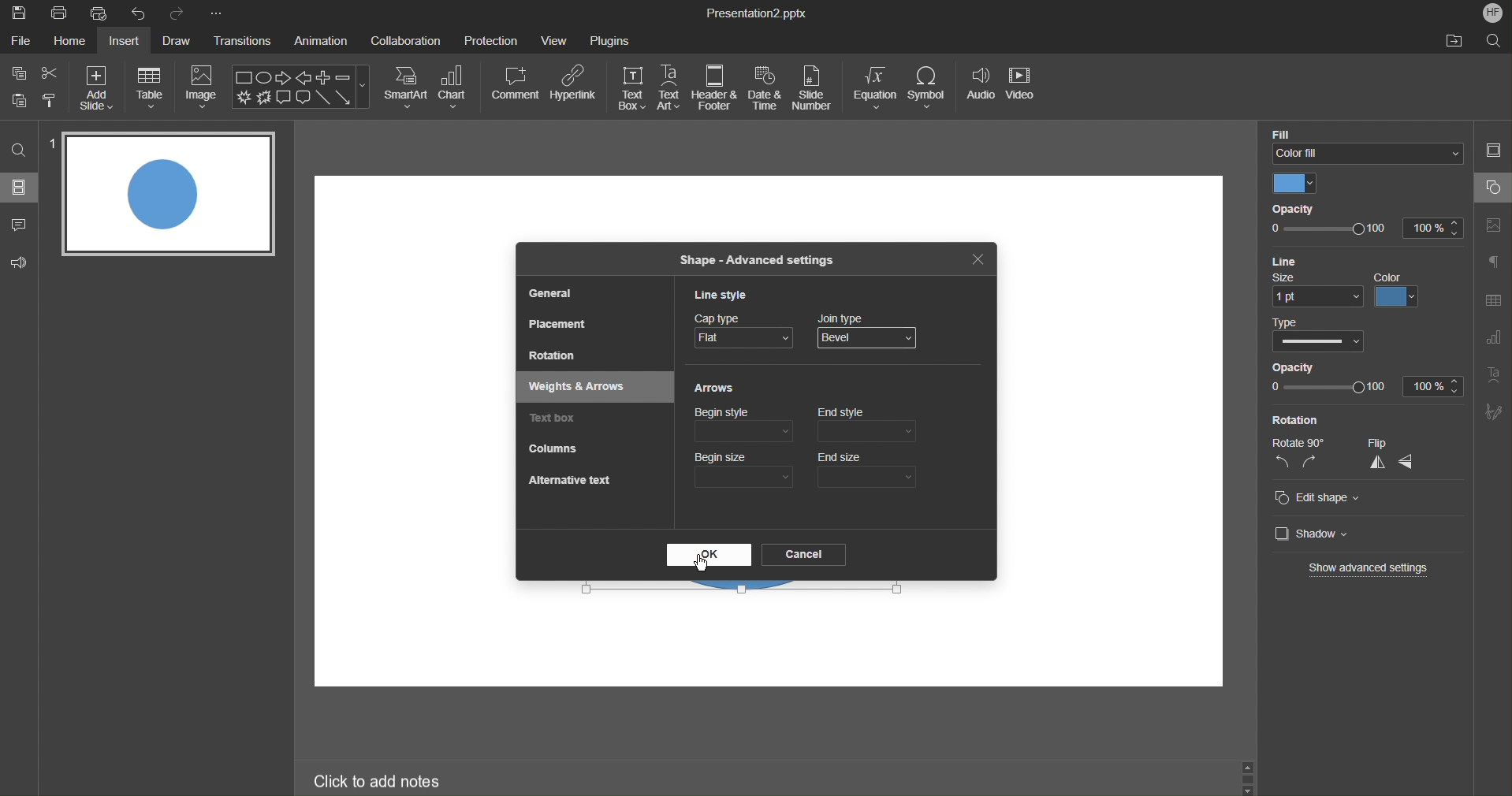  I want to click on Rotate 90, so click(1295, 441).